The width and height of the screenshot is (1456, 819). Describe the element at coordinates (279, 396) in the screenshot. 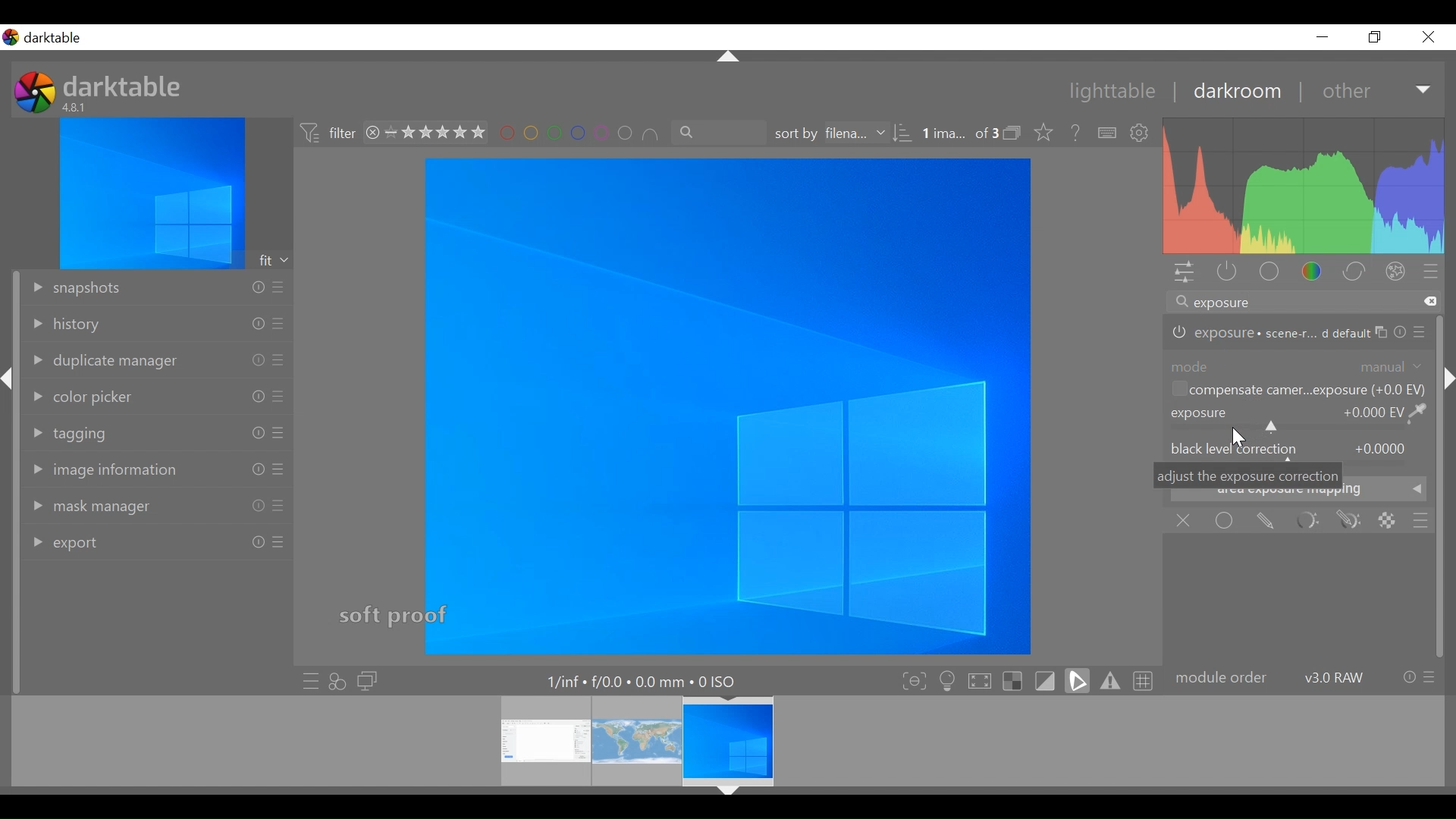

I see `presets` at that location.